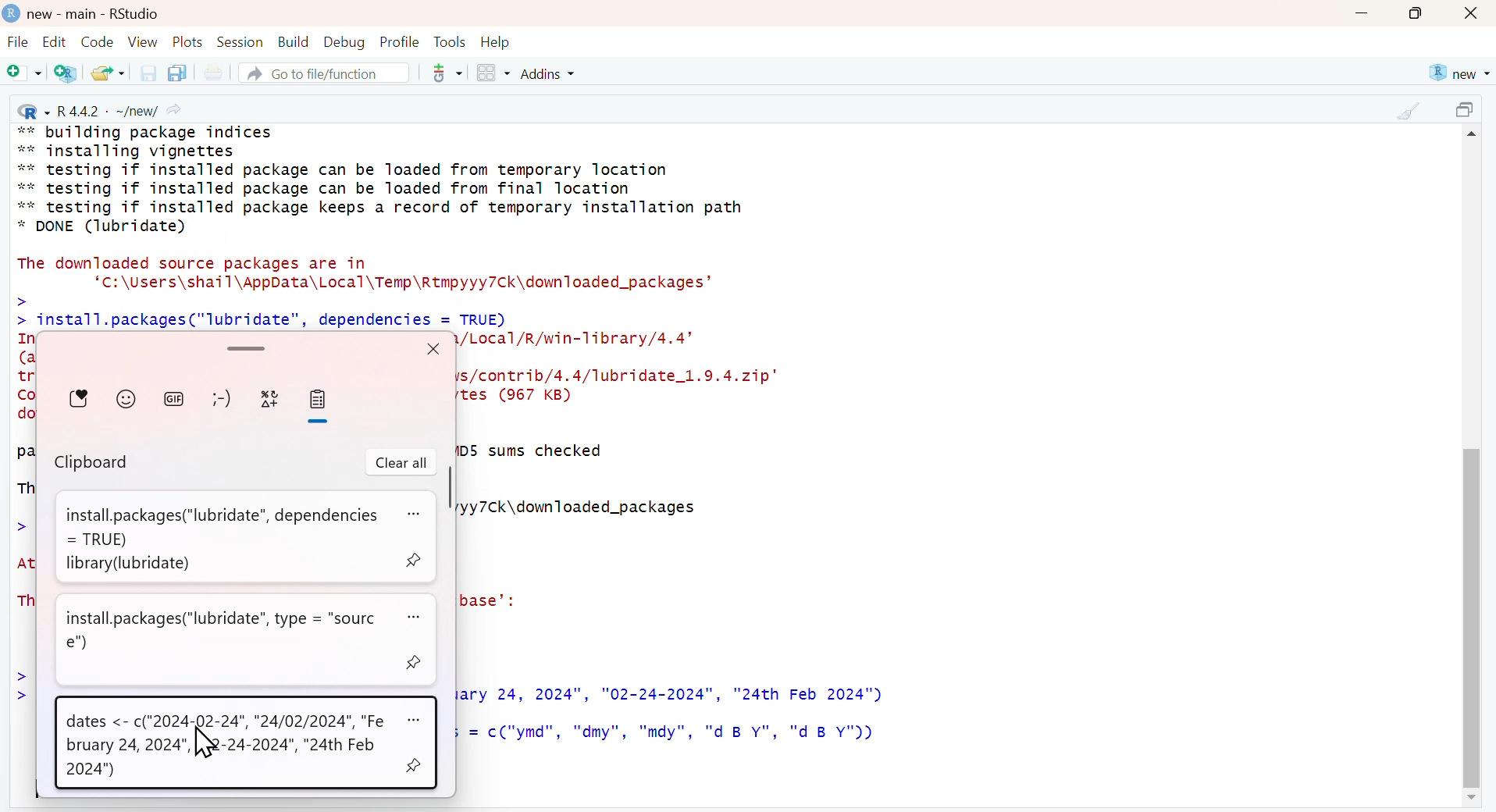 The image size is (1496, 812). Describe the element at coordinates (54, 41) in the screenshot. I see `Edit` at that location.